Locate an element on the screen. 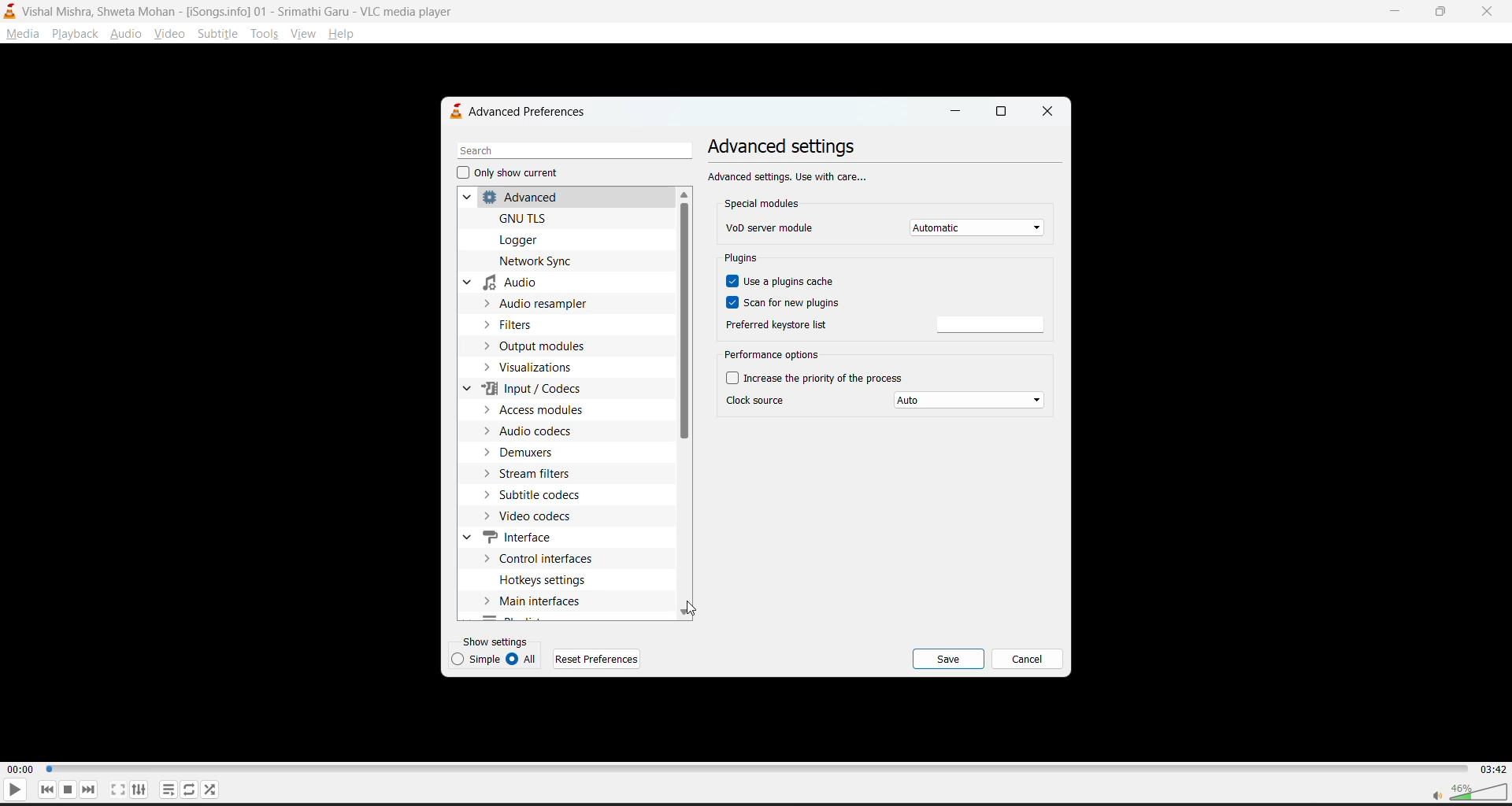  automatic is located at coordinates (979, 228).